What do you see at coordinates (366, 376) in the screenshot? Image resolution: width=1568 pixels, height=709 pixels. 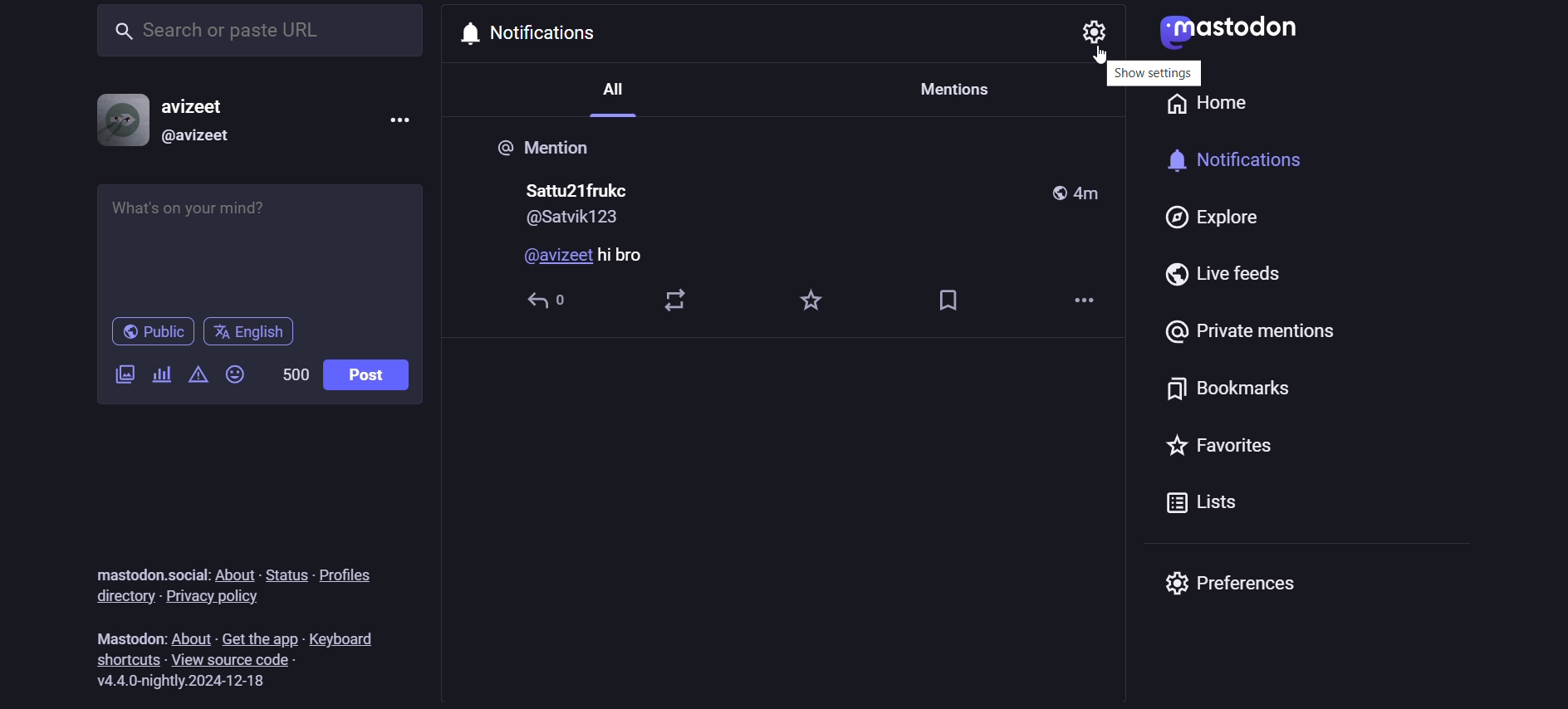 I see `Post` at bounding box center [366, 376].